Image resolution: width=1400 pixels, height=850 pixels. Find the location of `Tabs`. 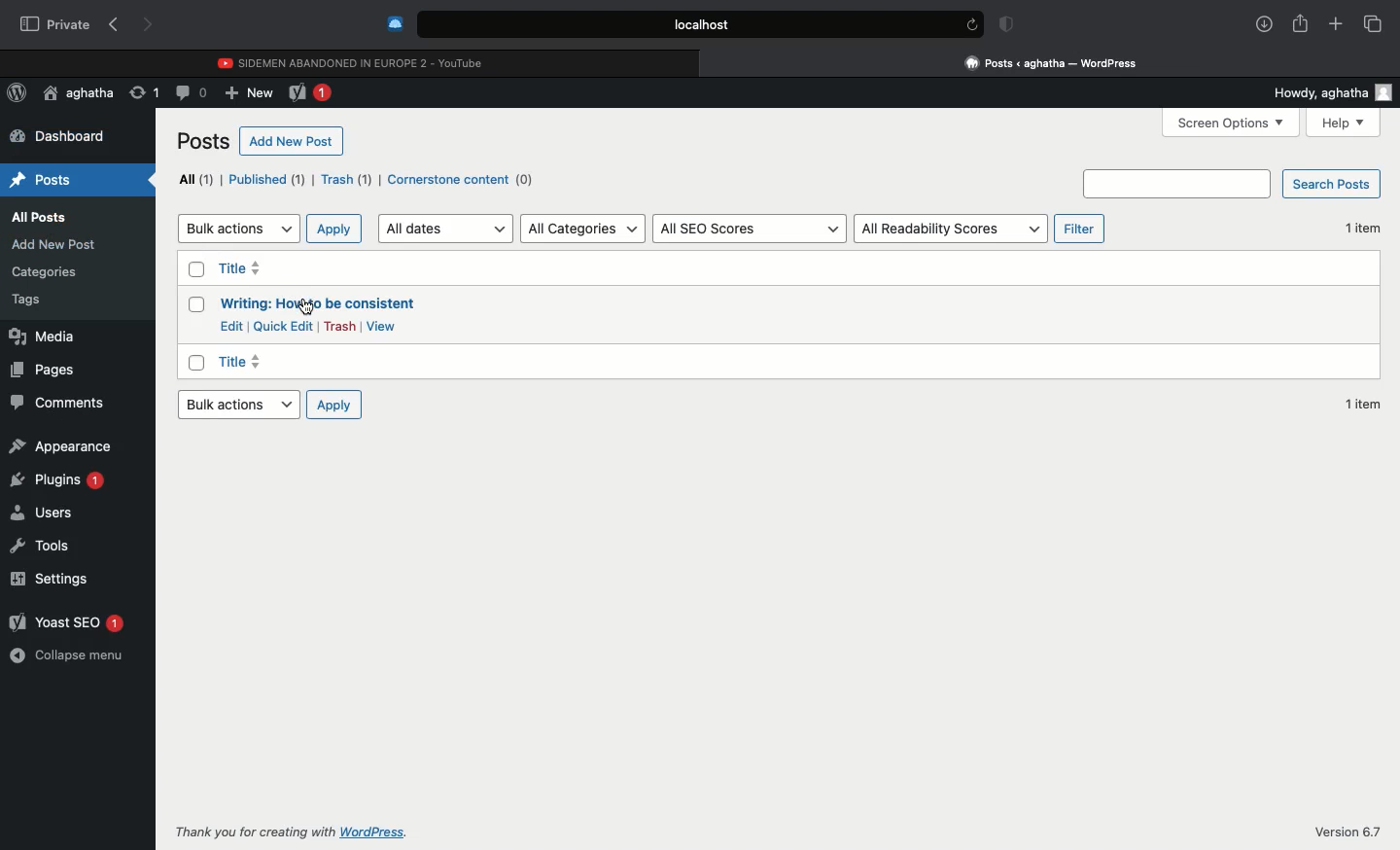

Tabs is located at coordinates (1373, 23).